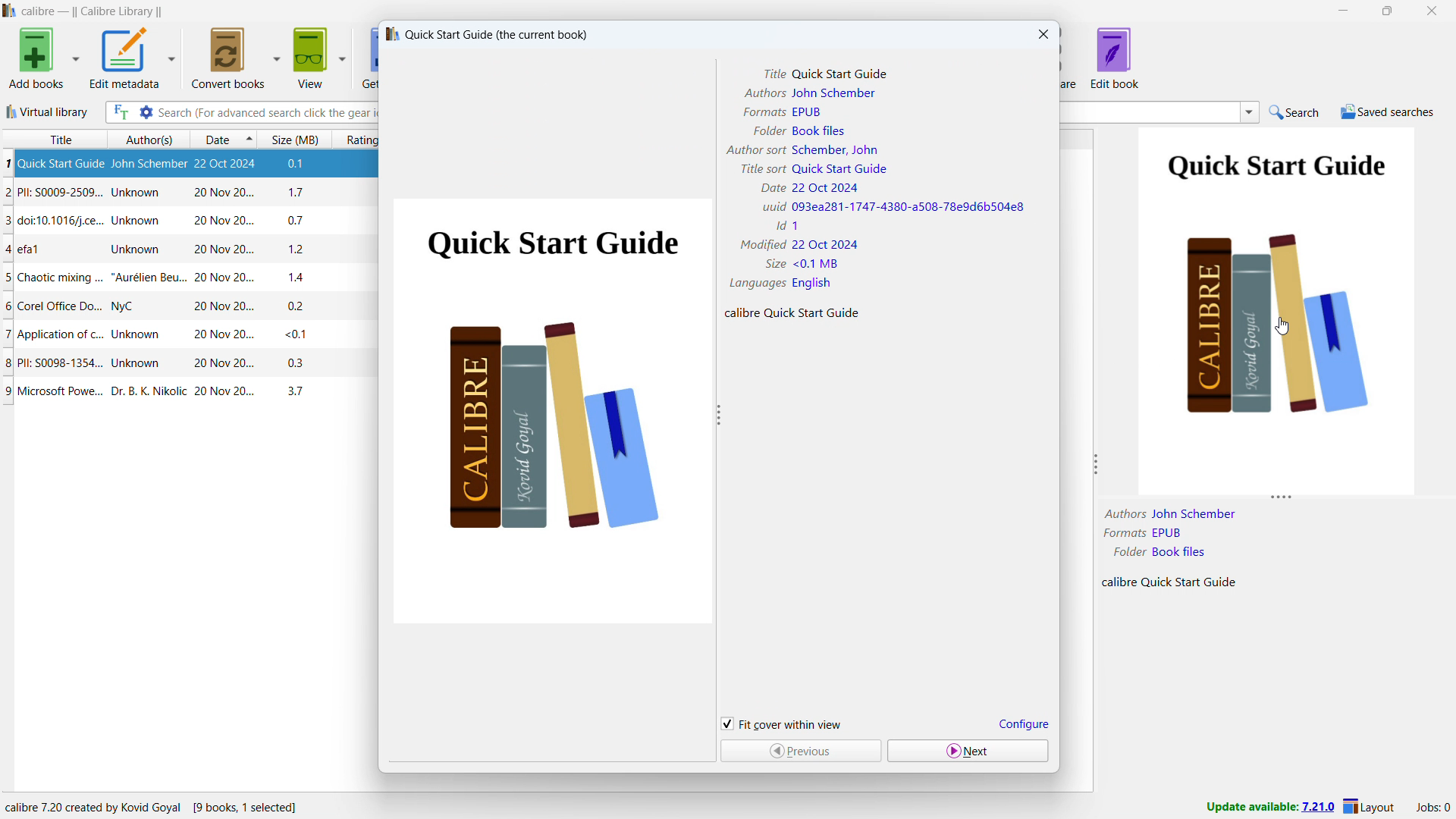 Image resolution: width=1456 pixels, height=819 pixels. What do you see at coordinates (89, 365) in the screenshot?
I see `Pll: S0098-1354... Unknown` at bounding box center [89, 365].